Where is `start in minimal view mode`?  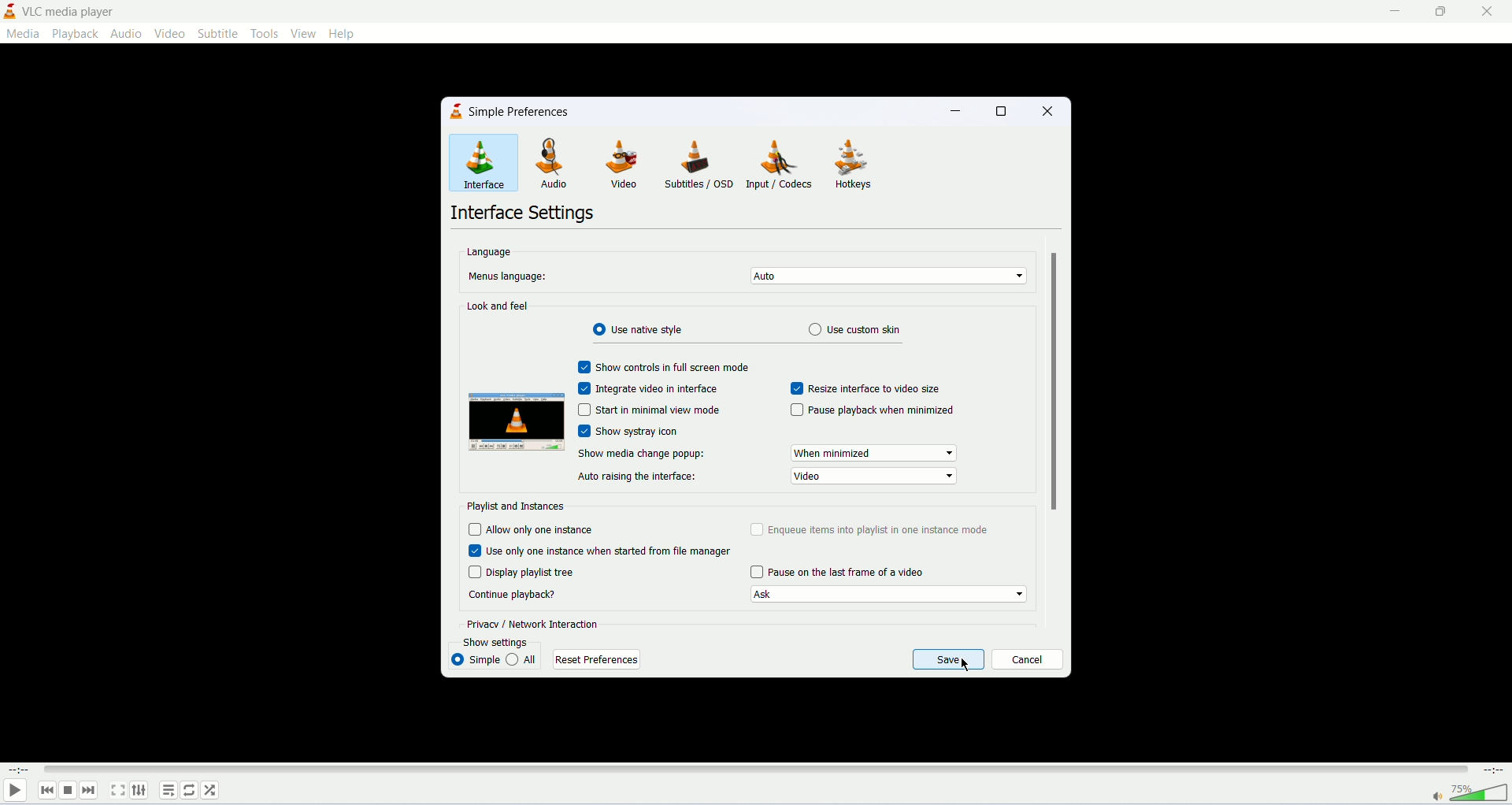 start in minimal view mode is located at coordinates (647, 410).